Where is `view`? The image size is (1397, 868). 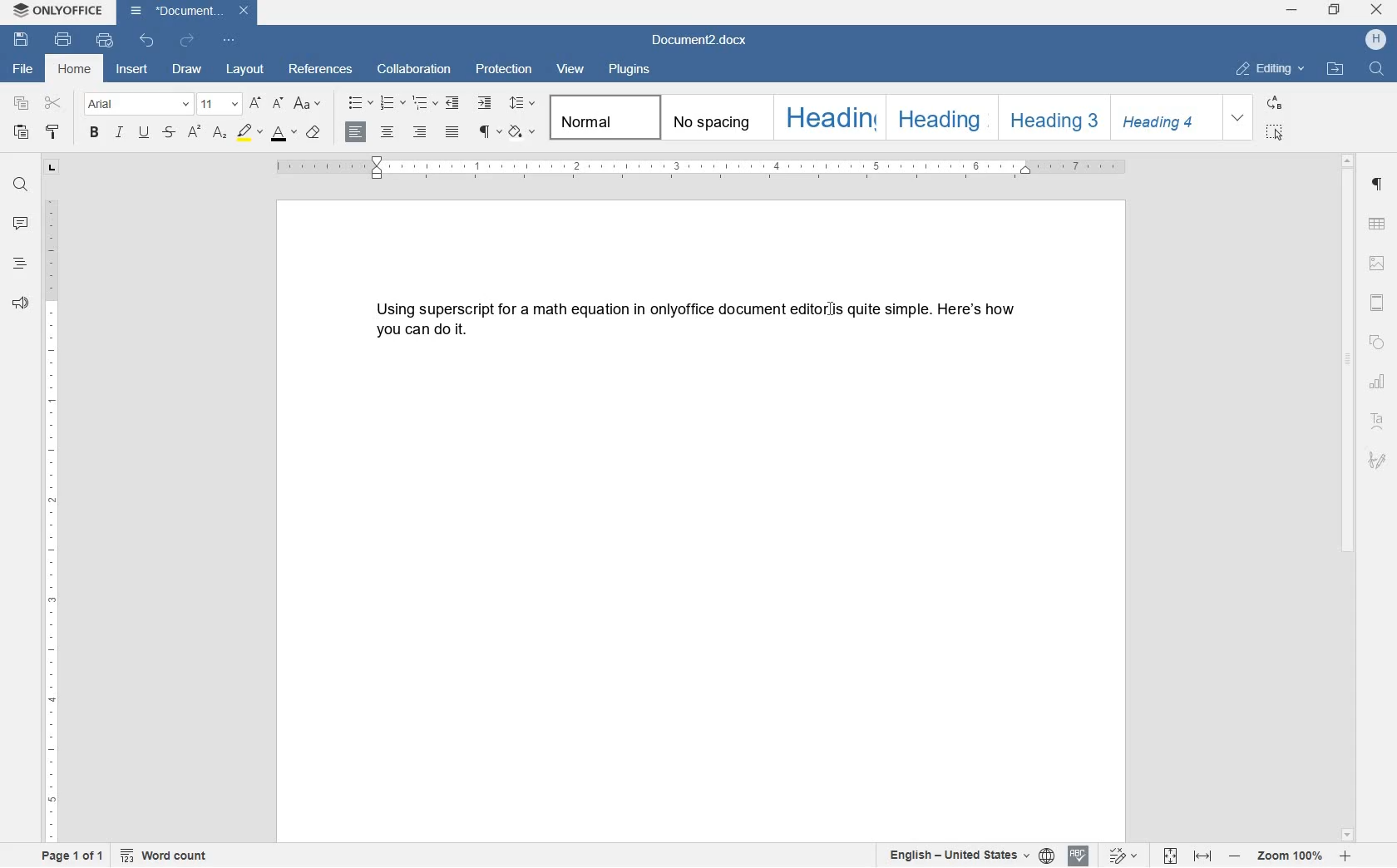 view is located at coordinates (571, 67).